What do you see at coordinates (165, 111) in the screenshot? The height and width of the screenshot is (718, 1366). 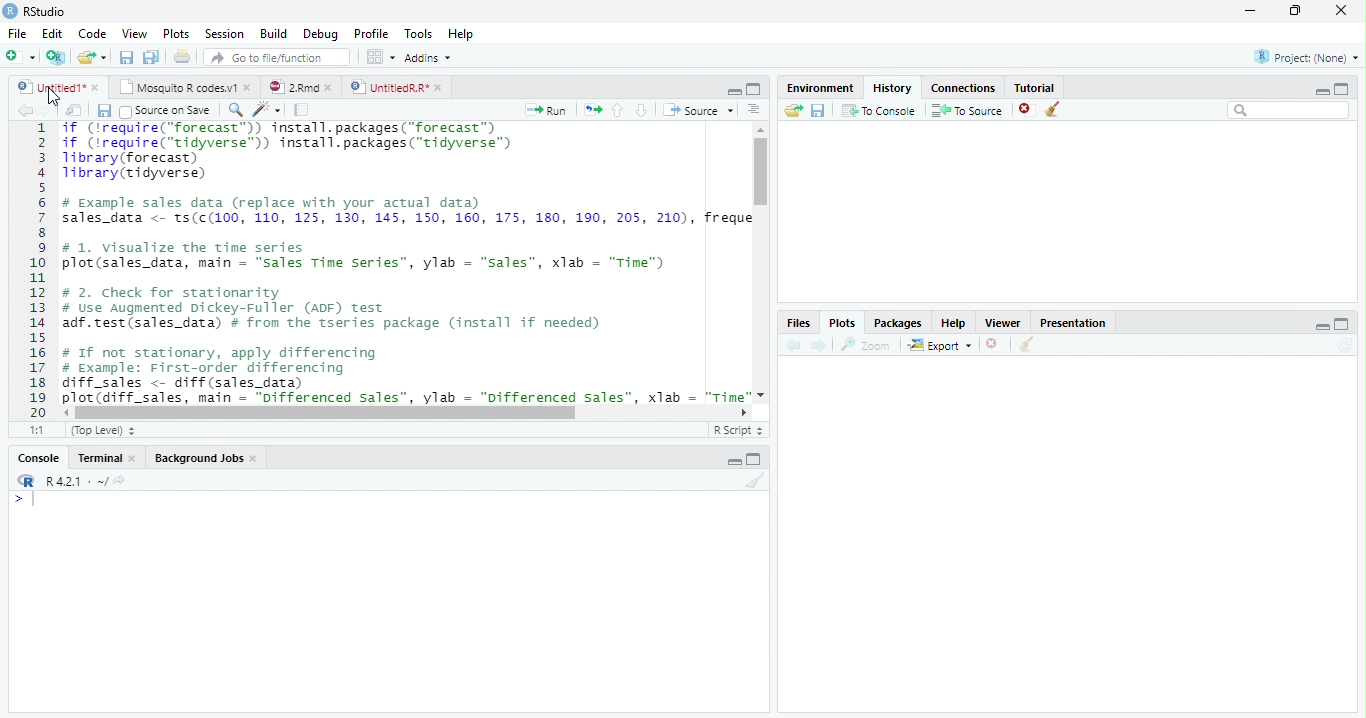 I see `Source on Save` at bounding box center [165, 111].